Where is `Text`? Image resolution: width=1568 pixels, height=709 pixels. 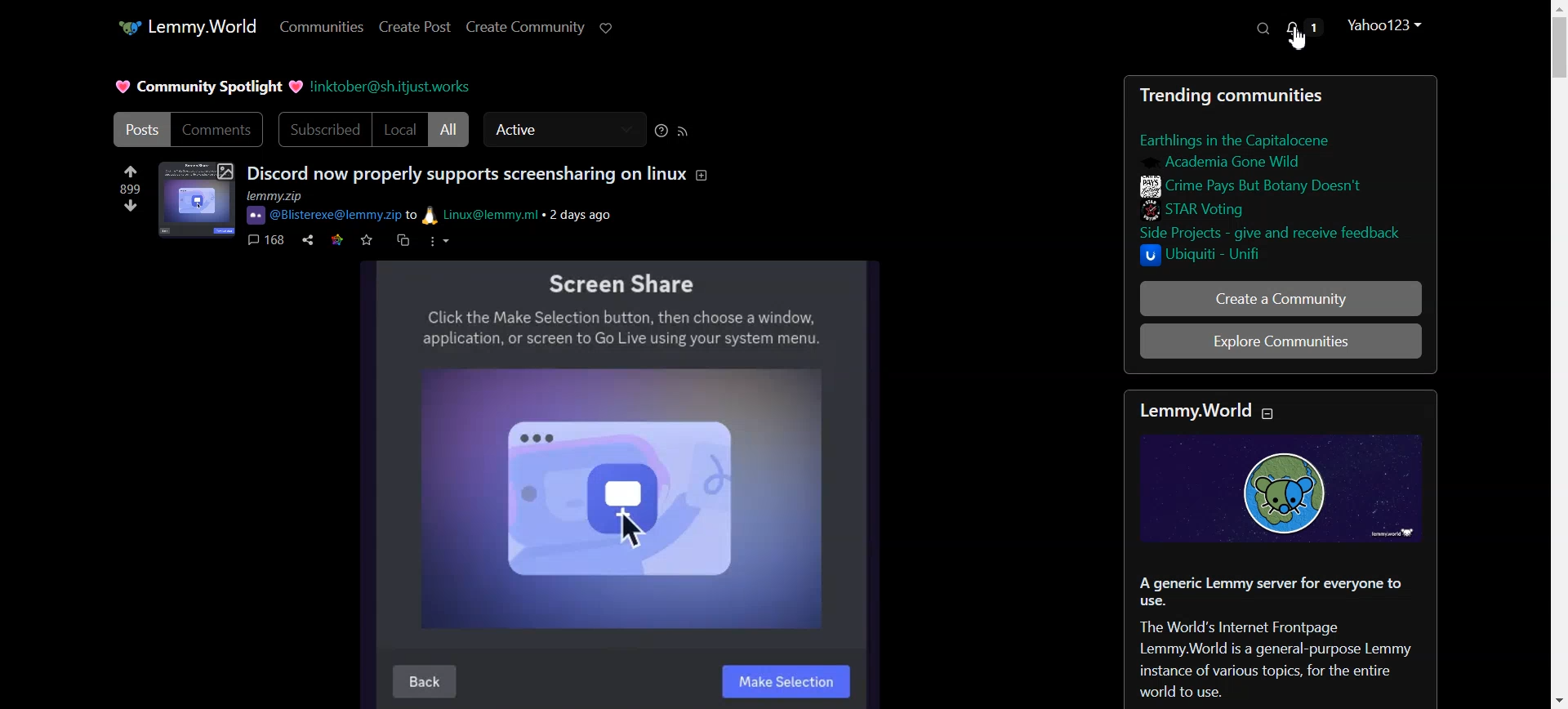 Text is located at coordinates (207, 87).